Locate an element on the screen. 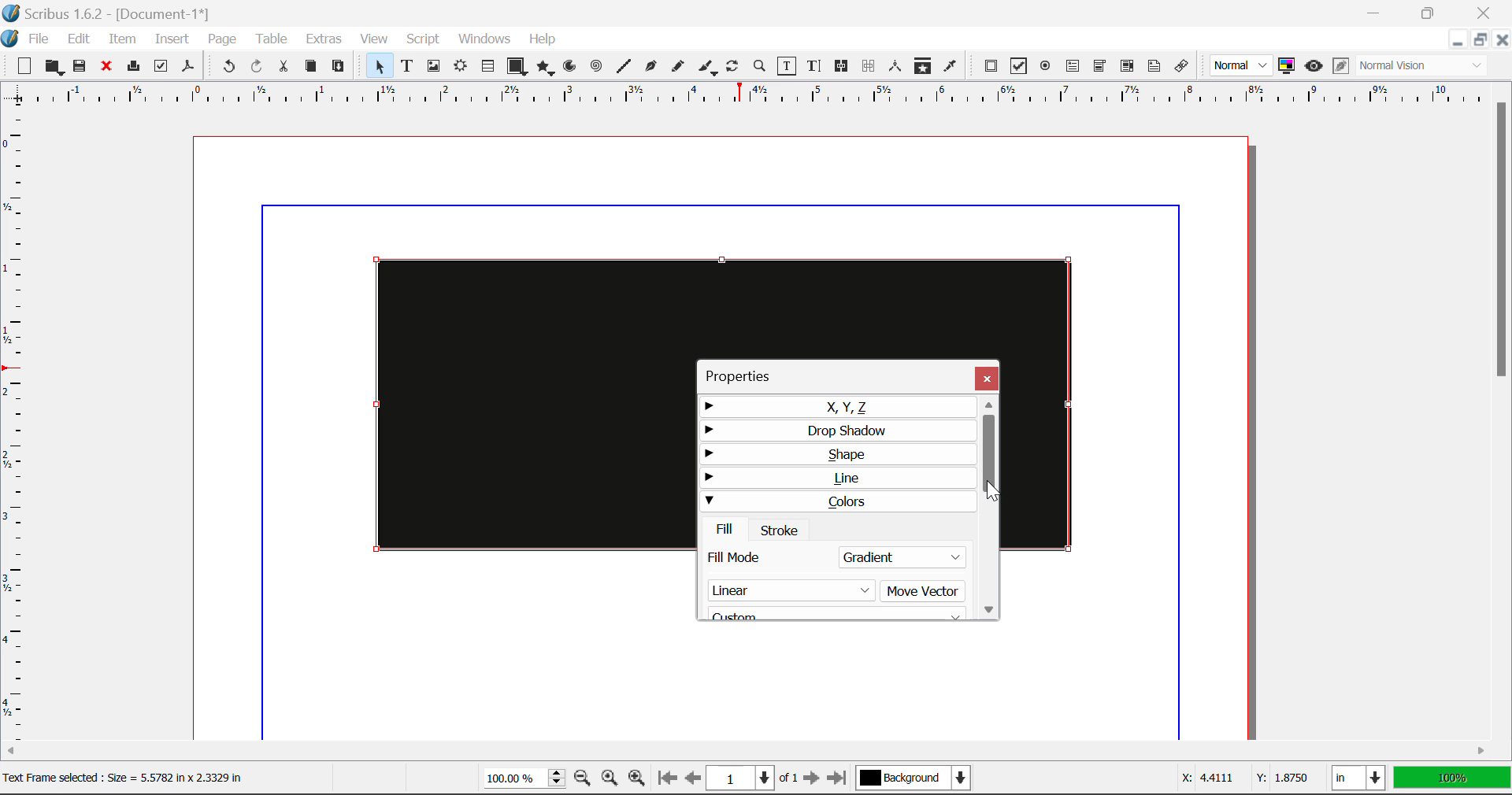 The image size is (1512, 795). Shape is located at coordinates (836, 453).